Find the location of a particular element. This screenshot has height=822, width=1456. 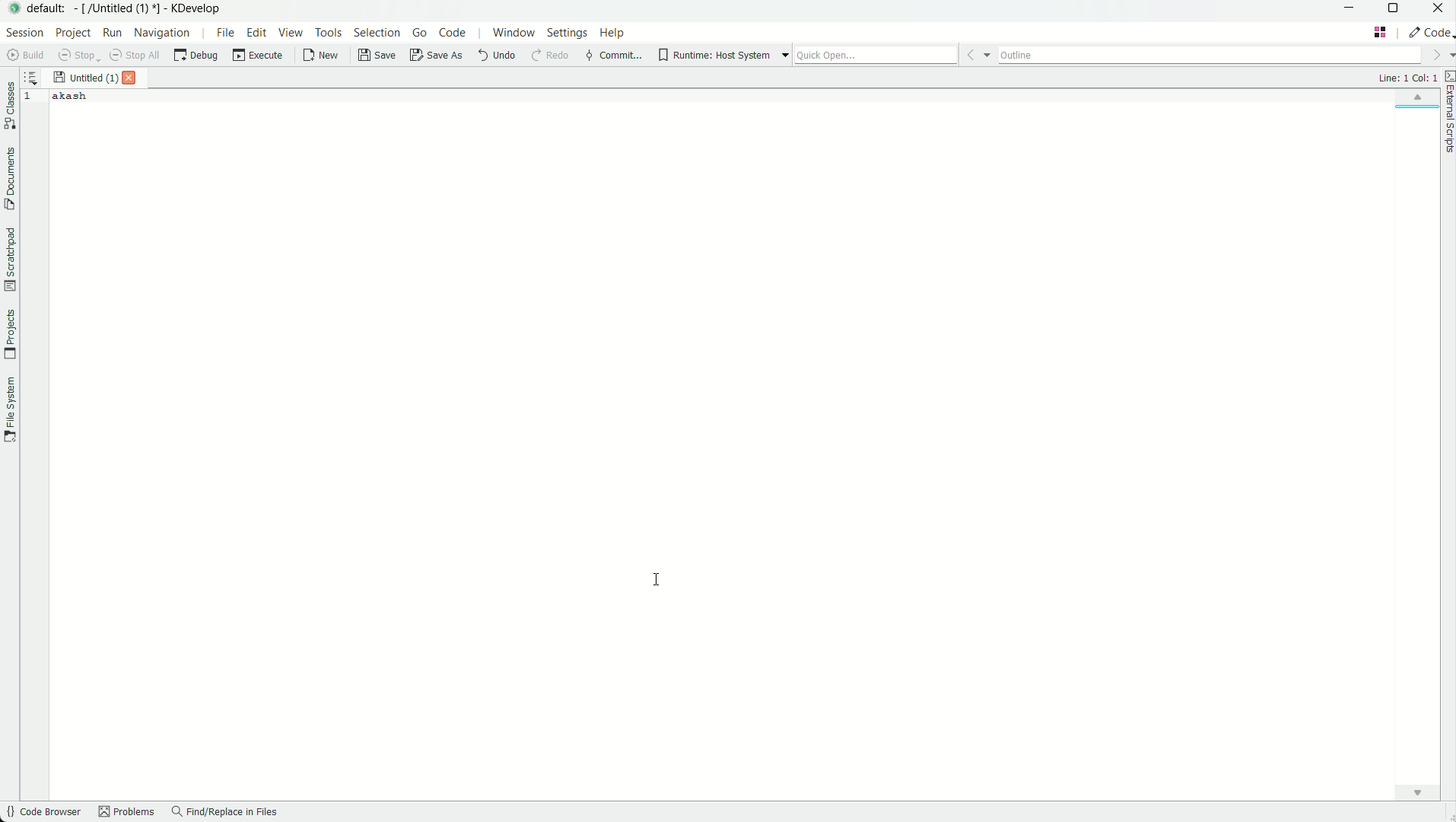

quick open is located at coordinates (876, 56).